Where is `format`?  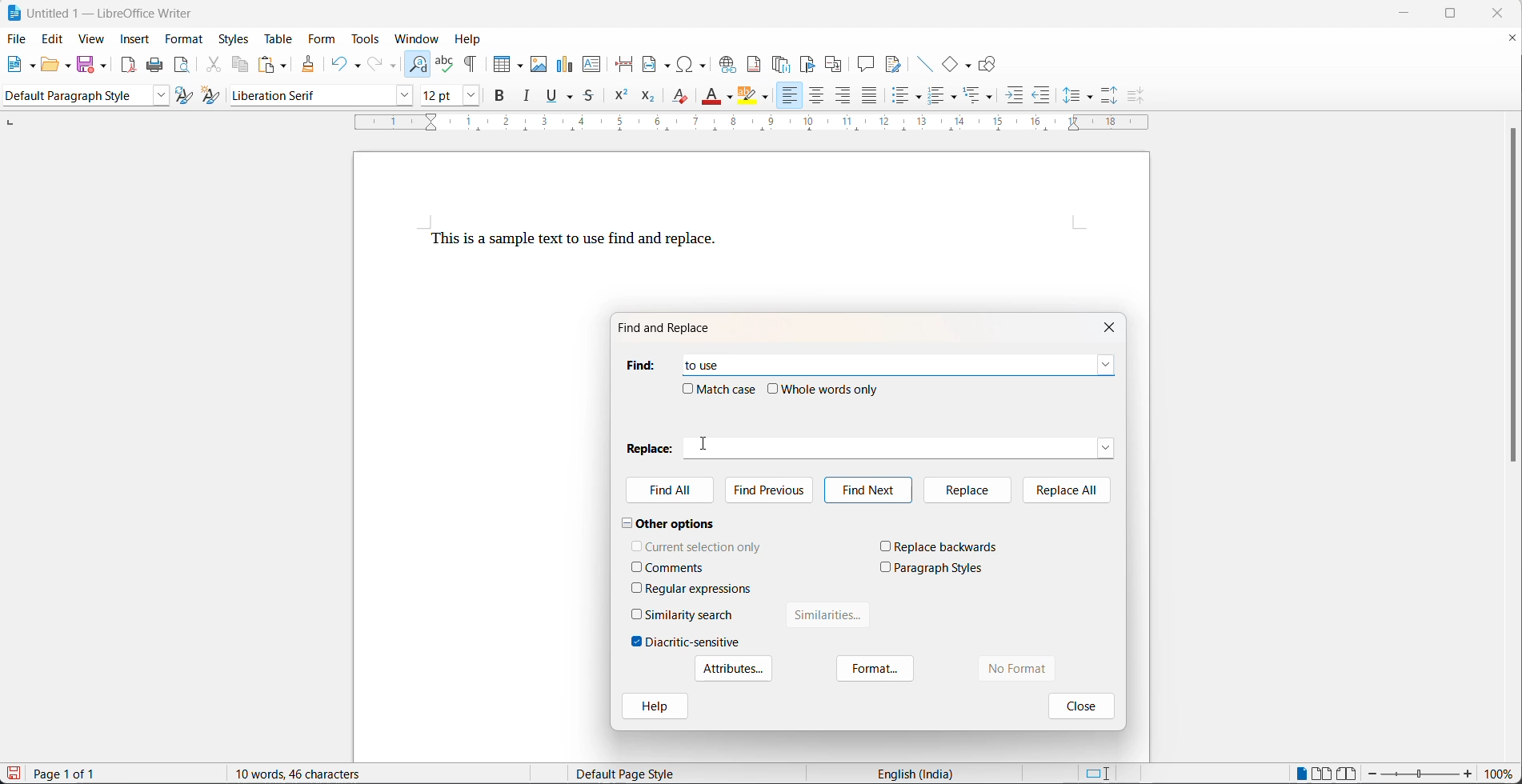 format is located at coordinates (186, 40).